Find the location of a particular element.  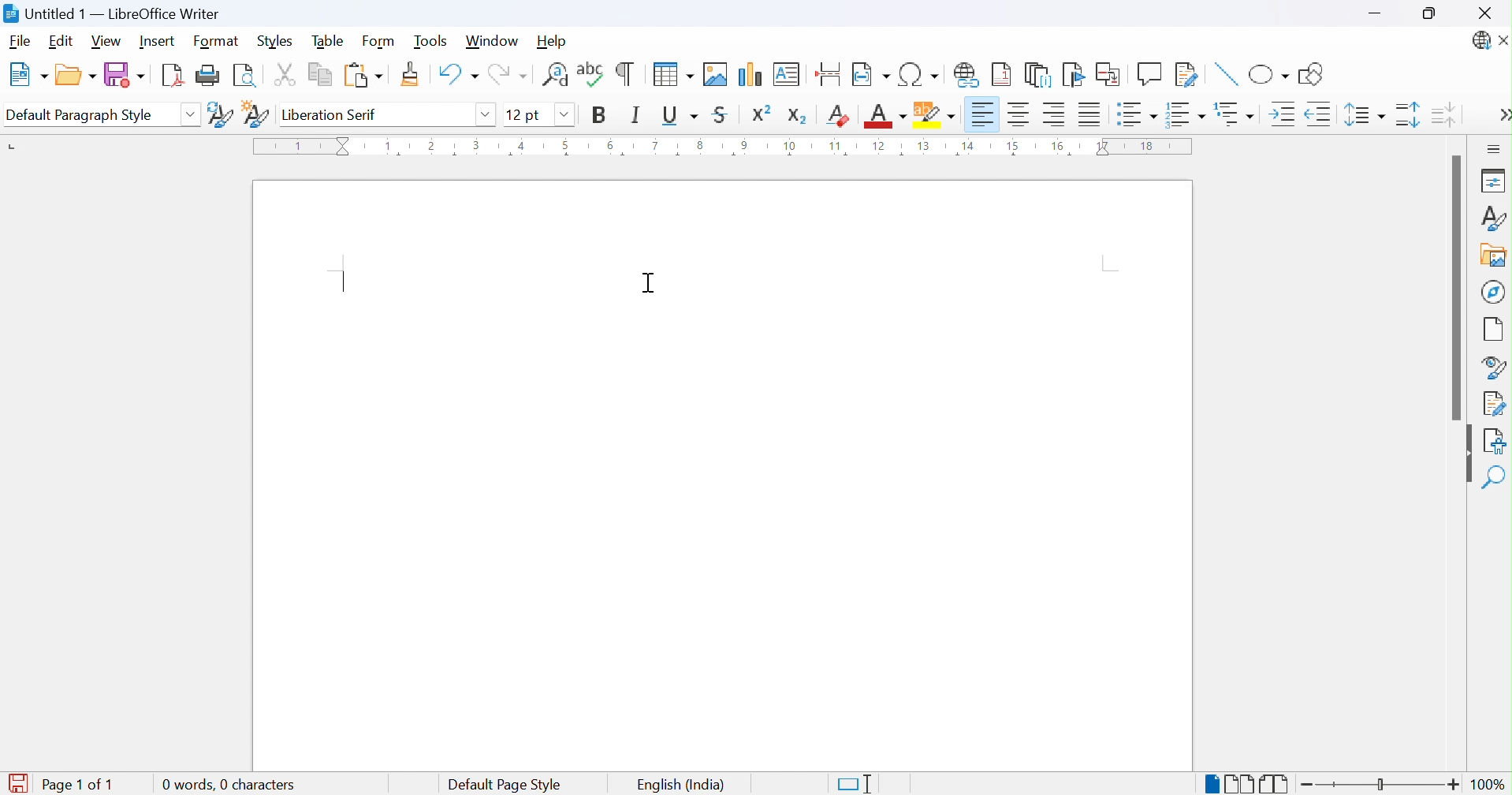

Insert comment is located at coordinates (1151, 73).